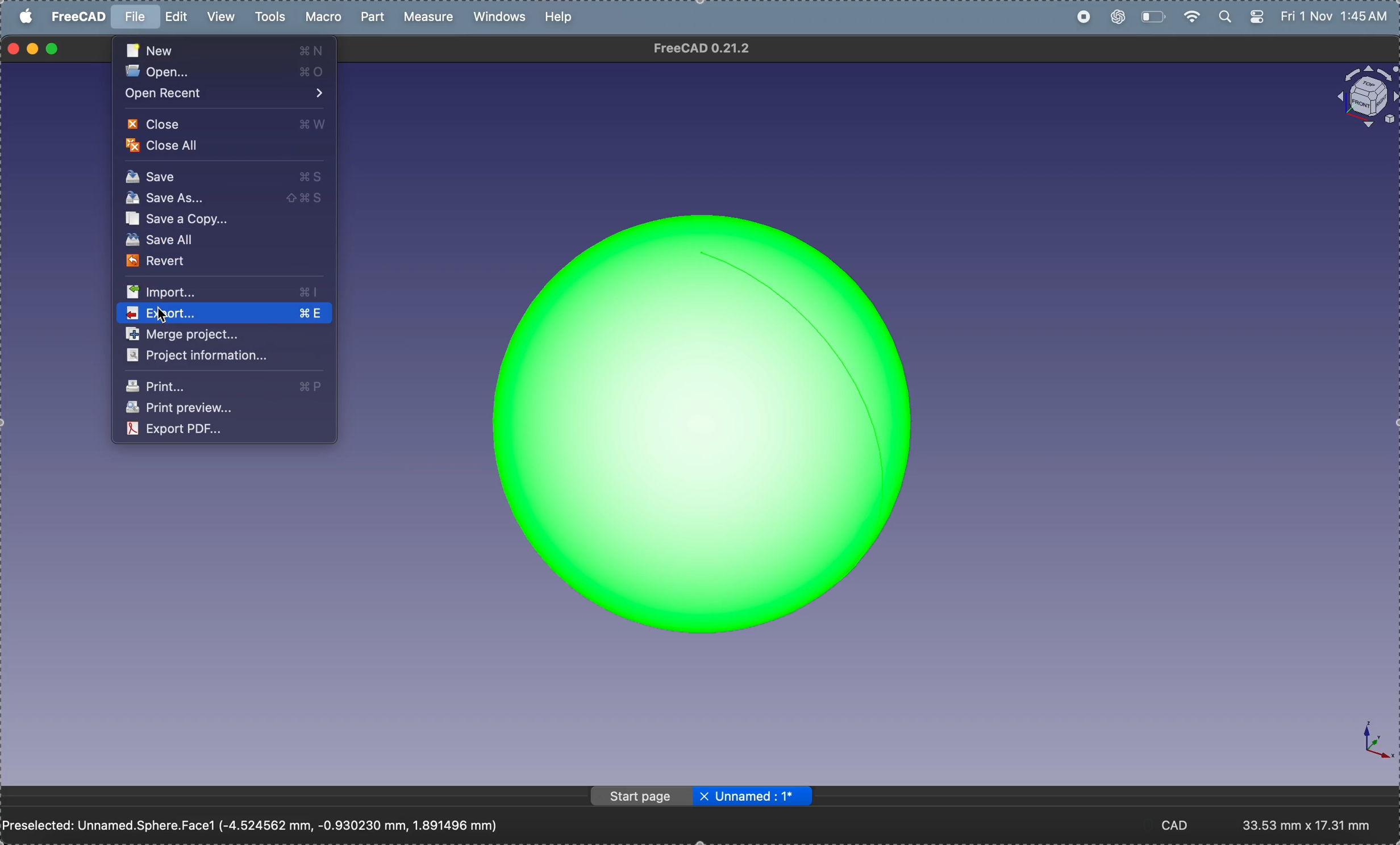  Describe the element at coordinates (327, 17) in the screenshot. I see `marco` at that location.